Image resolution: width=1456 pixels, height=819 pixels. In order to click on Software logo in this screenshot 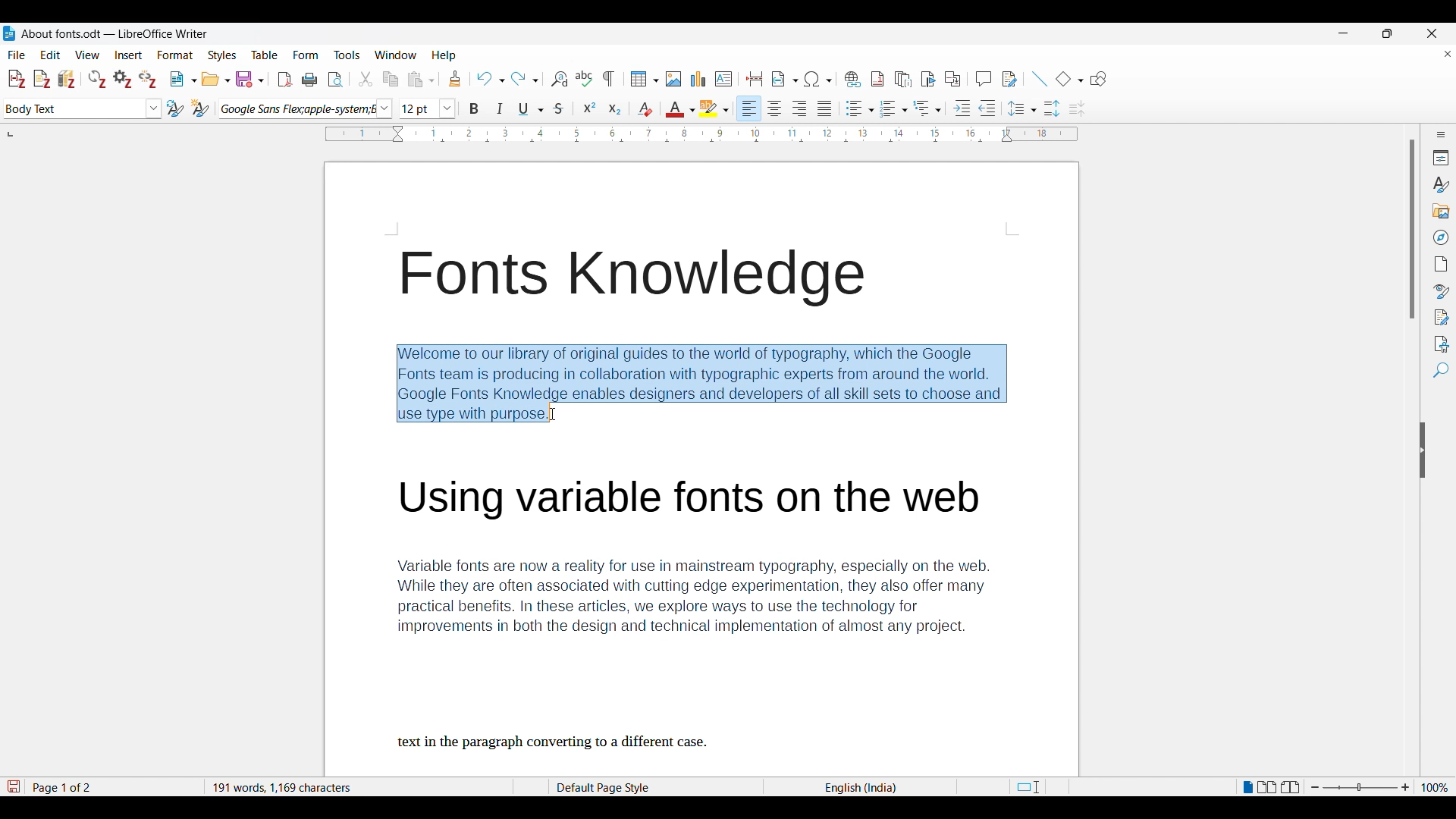, I will do `click(9, 33)`.